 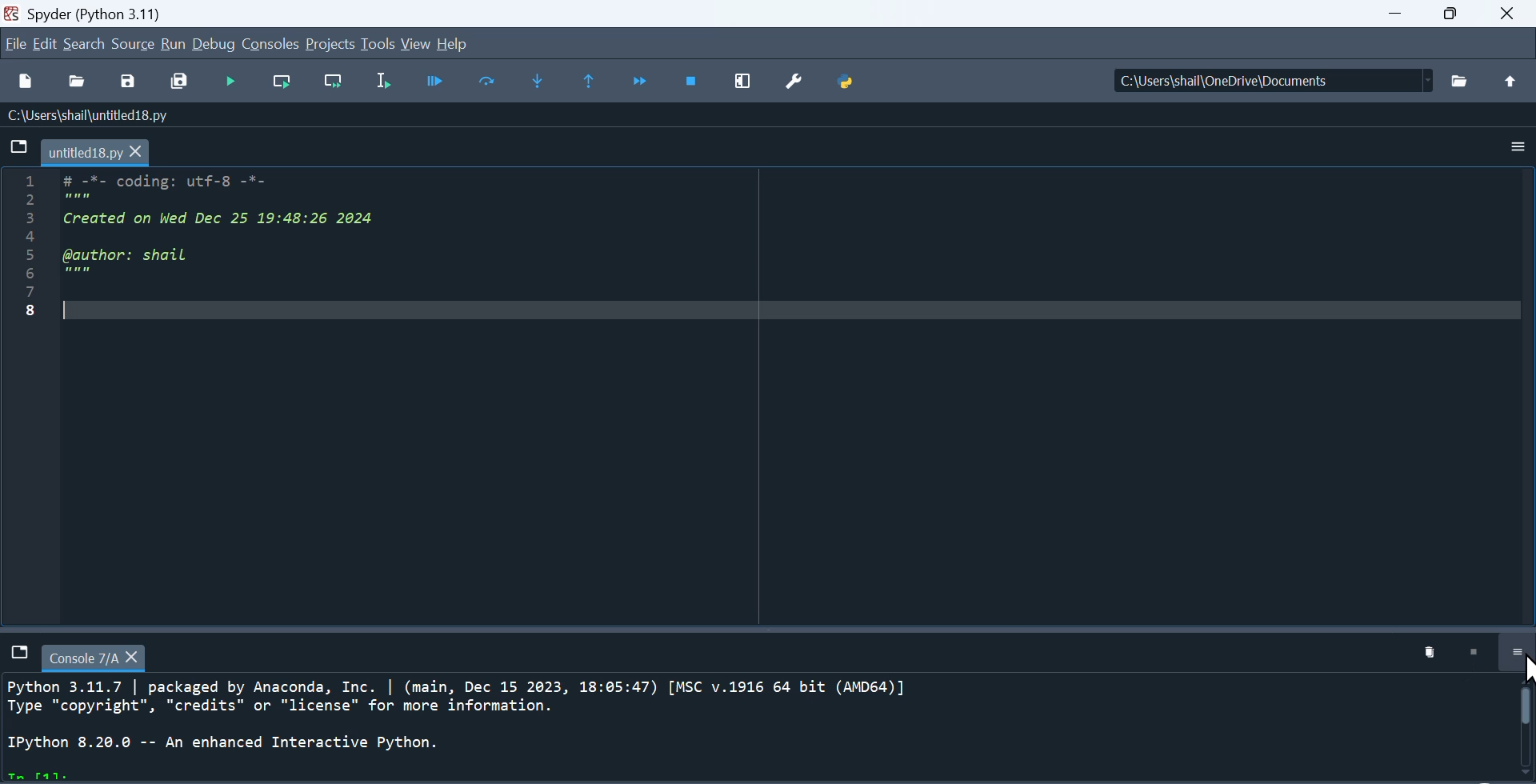 What do you see at coordinates (1513, 80) in the screenshot?
I see `open parent directory` at bounding box center [1513, 80].